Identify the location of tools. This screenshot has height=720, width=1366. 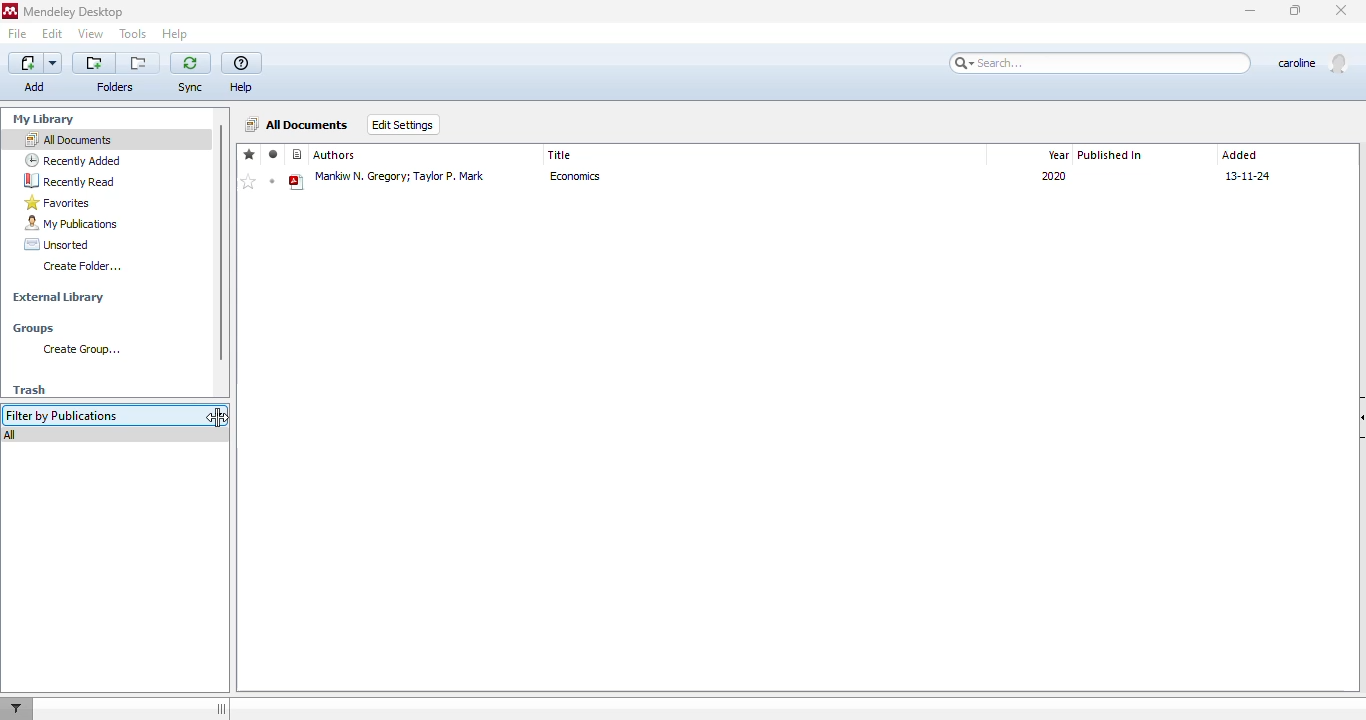
(133, 33).